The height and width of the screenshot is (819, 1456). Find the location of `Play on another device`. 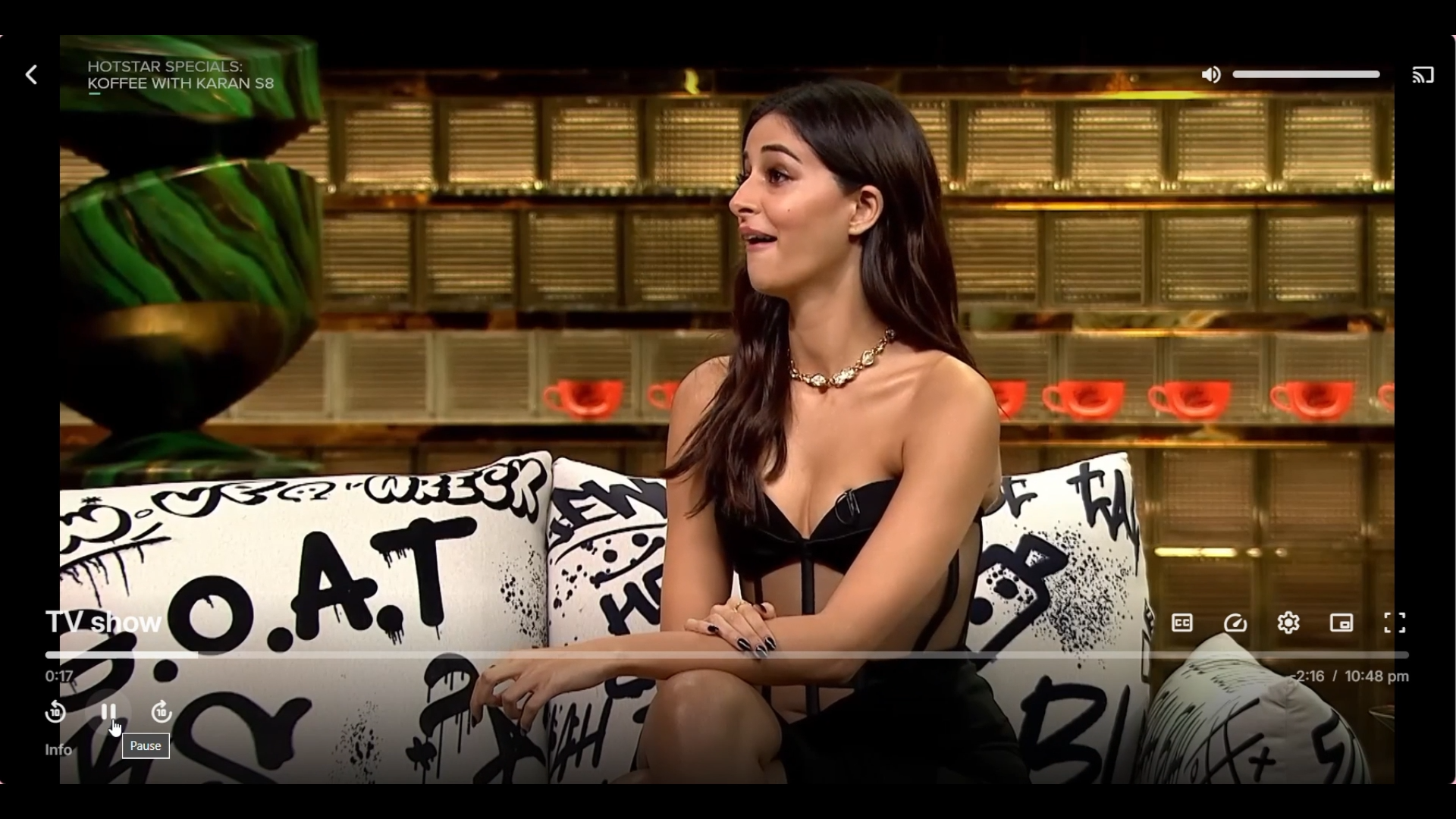

Play on another device is located at coordinates (1423, 76).